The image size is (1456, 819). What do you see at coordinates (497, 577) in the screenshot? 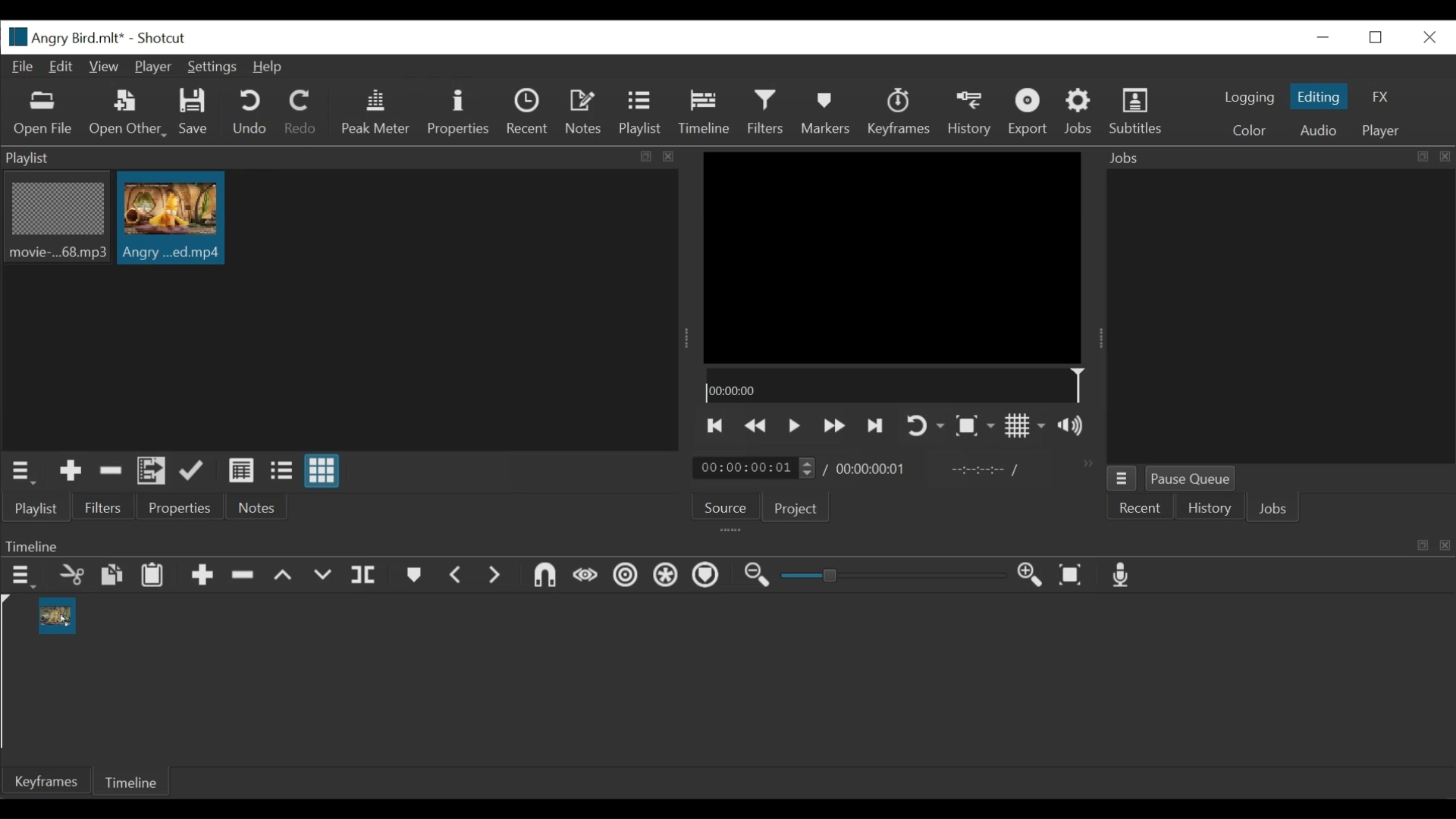
I see `Next Marker` at bounding box center [497, 577].